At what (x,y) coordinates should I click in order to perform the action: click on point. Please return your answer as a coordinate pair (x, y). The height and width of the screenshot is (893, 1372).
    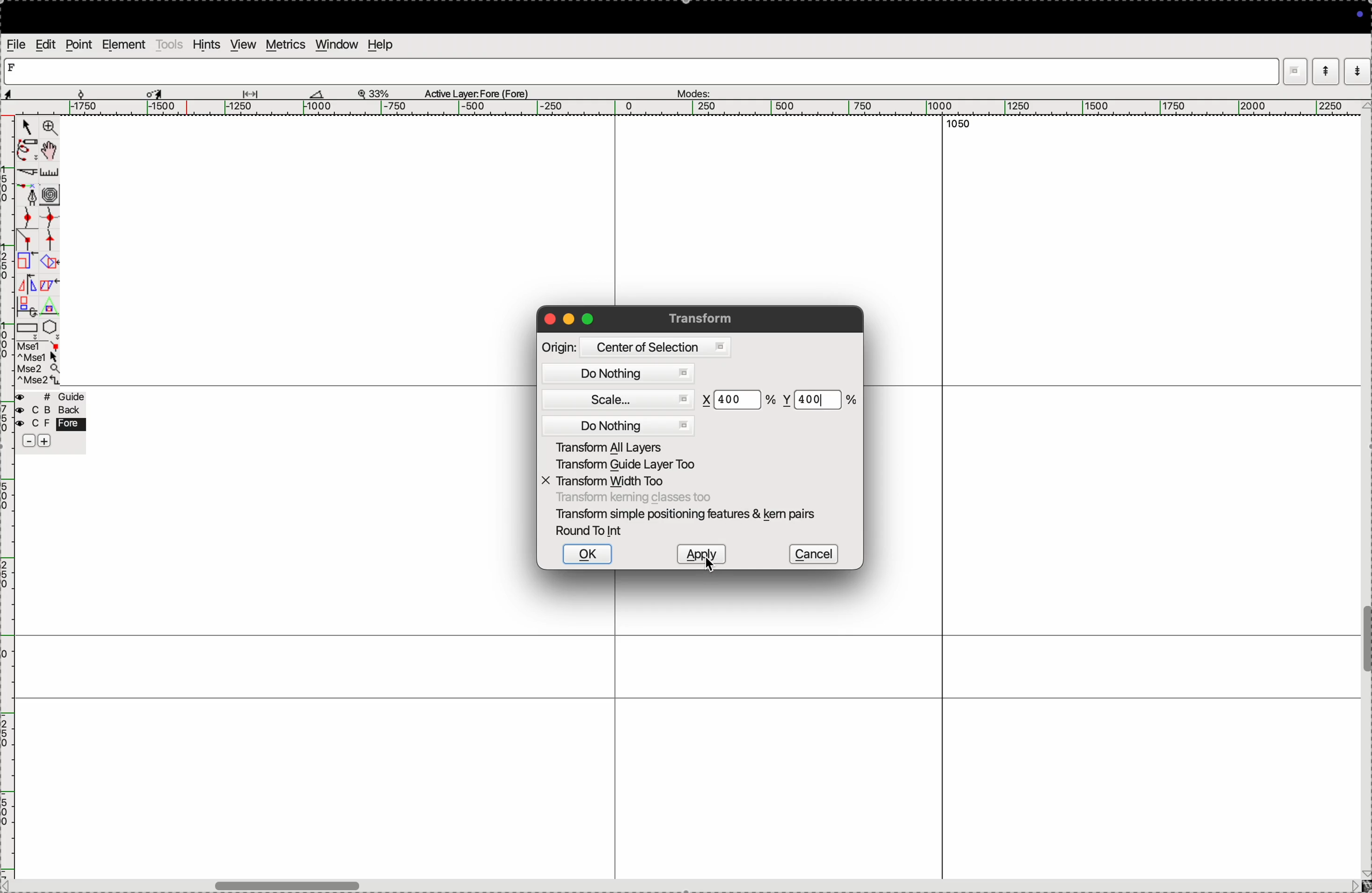
    Looking at the image, I should click on (78, 46).